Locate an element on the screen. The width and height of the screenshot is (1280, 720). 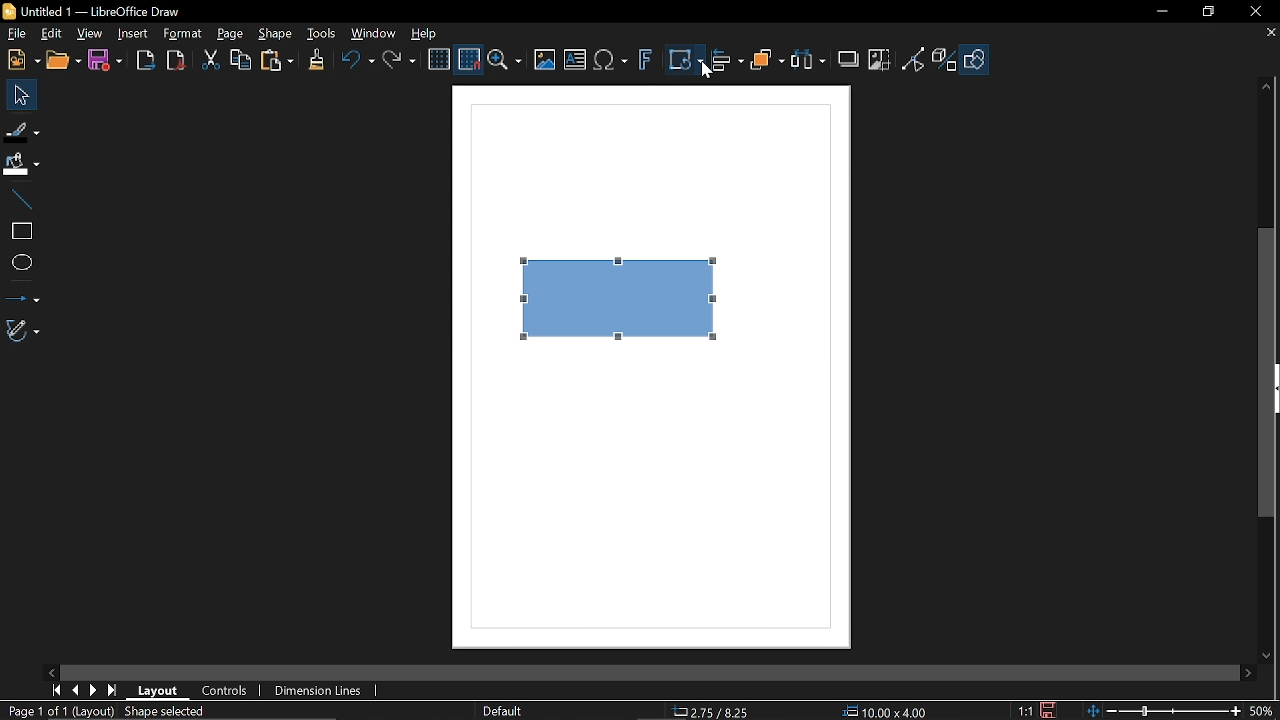
Undo is located at coordinates (355, 63).